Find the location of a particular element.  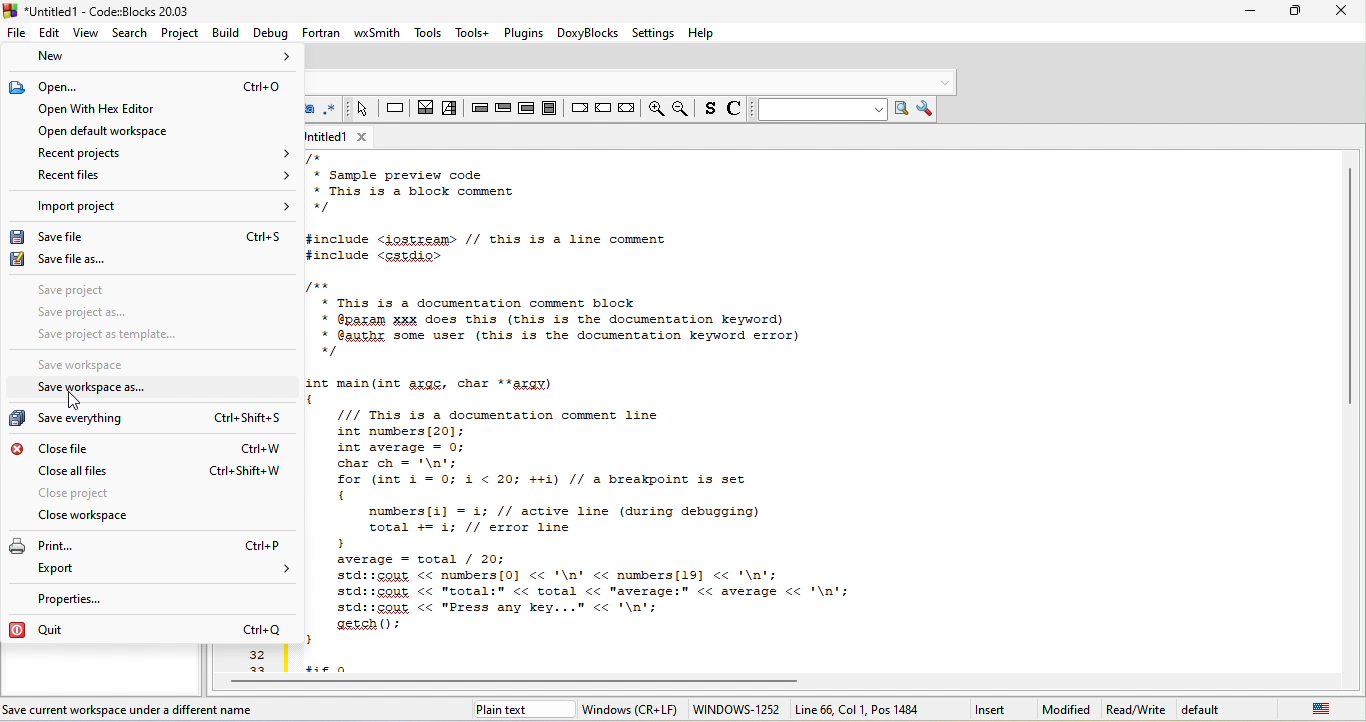

minimize is located at coordinates (1250, 11).